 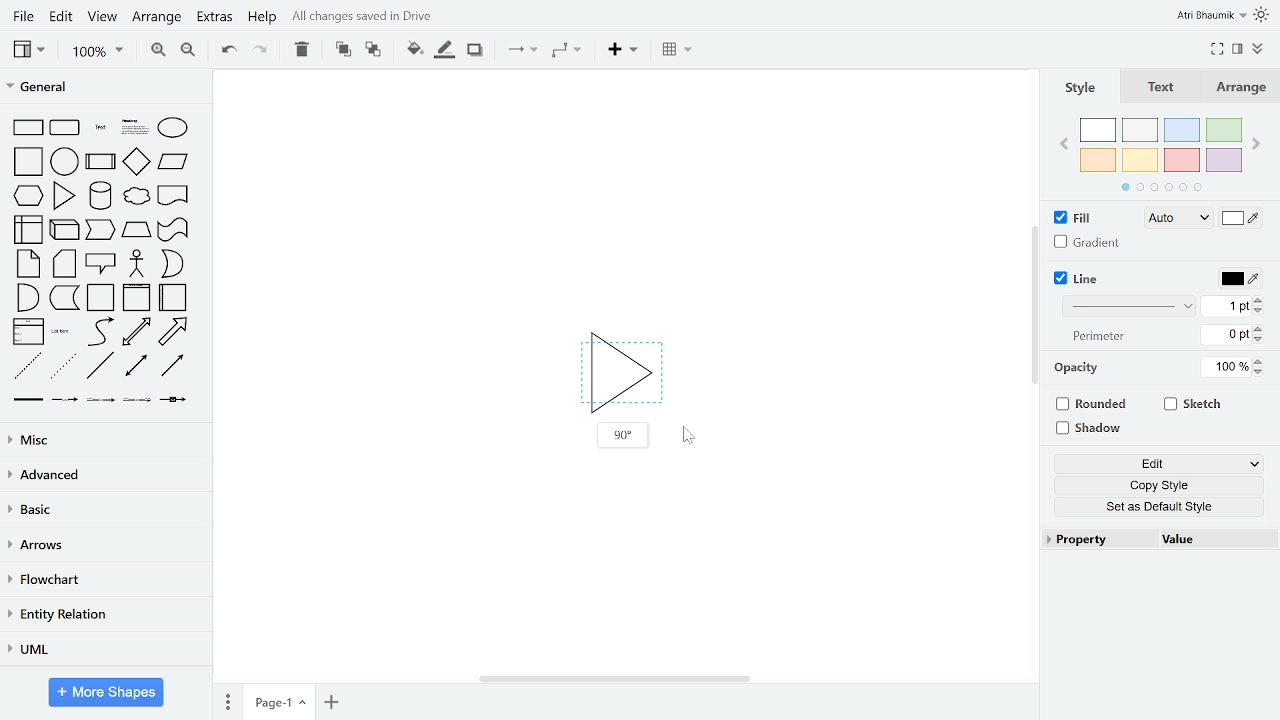 What do you see at coordinates (1162, 463) in the screenshot?
I see `edit` at bounding box center [1162, 463].